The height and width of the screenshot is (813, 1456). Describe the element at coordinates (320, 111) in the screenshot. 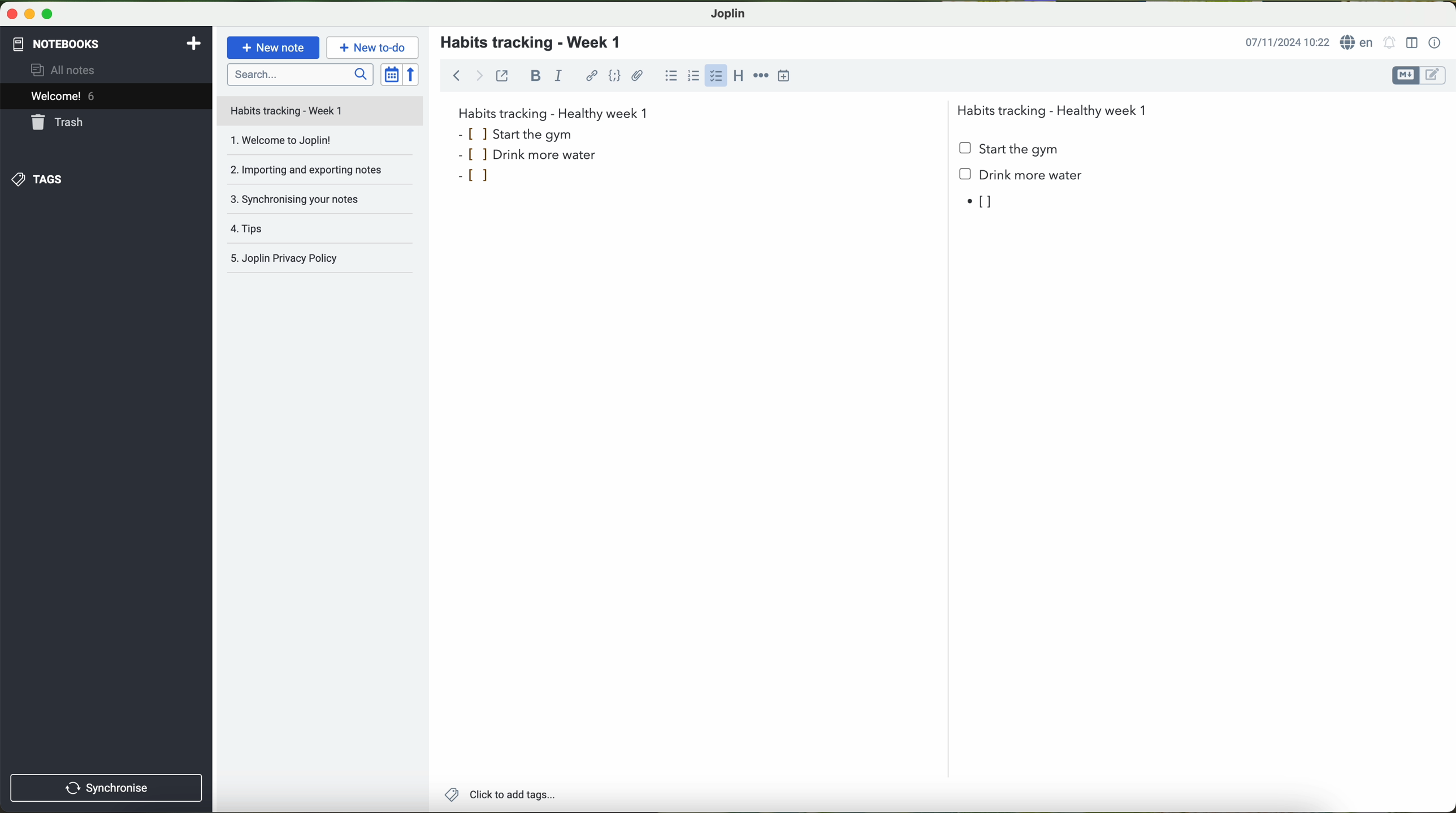

I see `file title` at that location.